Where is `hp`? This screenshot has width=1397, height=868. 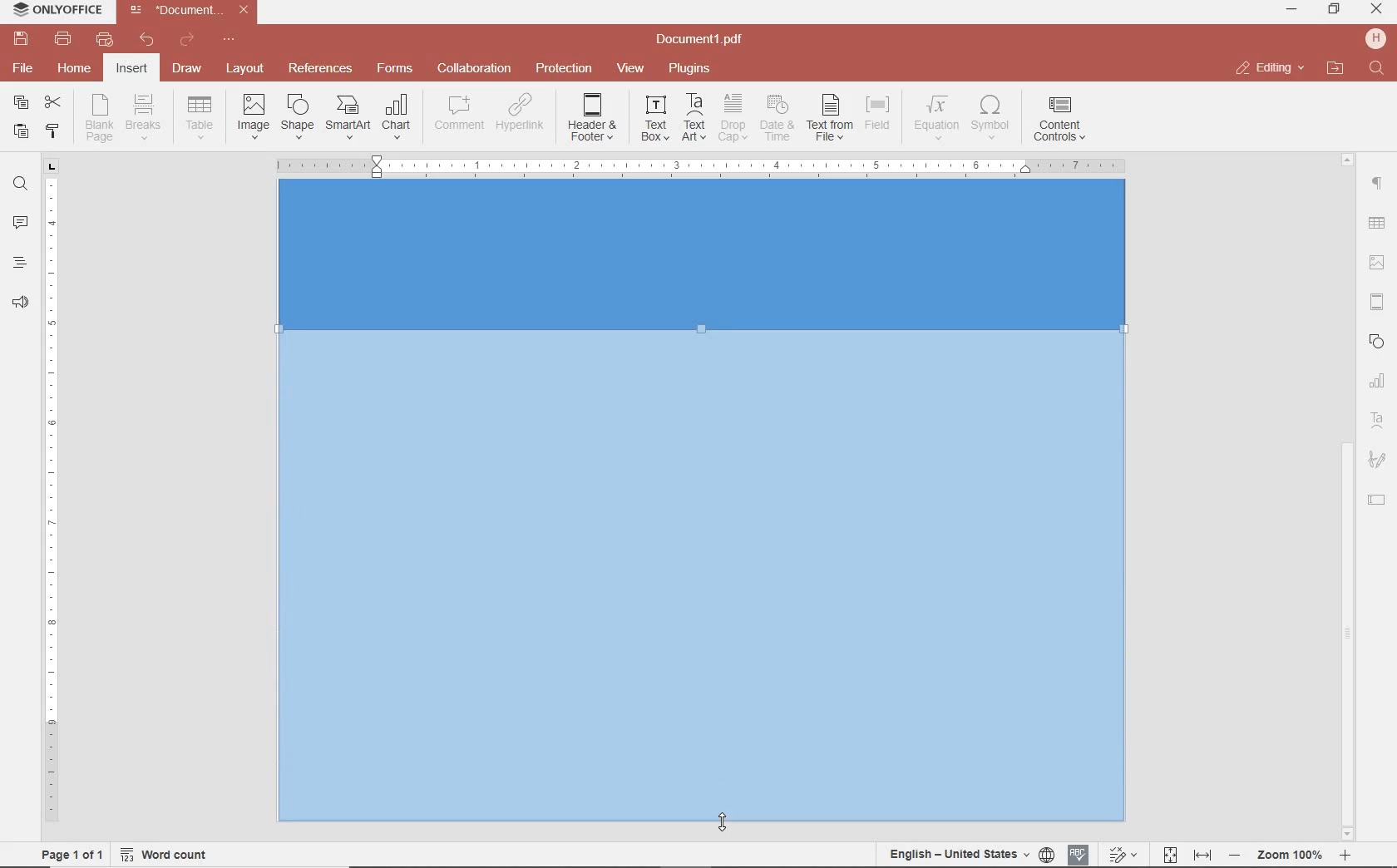
hp is located at coordinates (1379, 38).